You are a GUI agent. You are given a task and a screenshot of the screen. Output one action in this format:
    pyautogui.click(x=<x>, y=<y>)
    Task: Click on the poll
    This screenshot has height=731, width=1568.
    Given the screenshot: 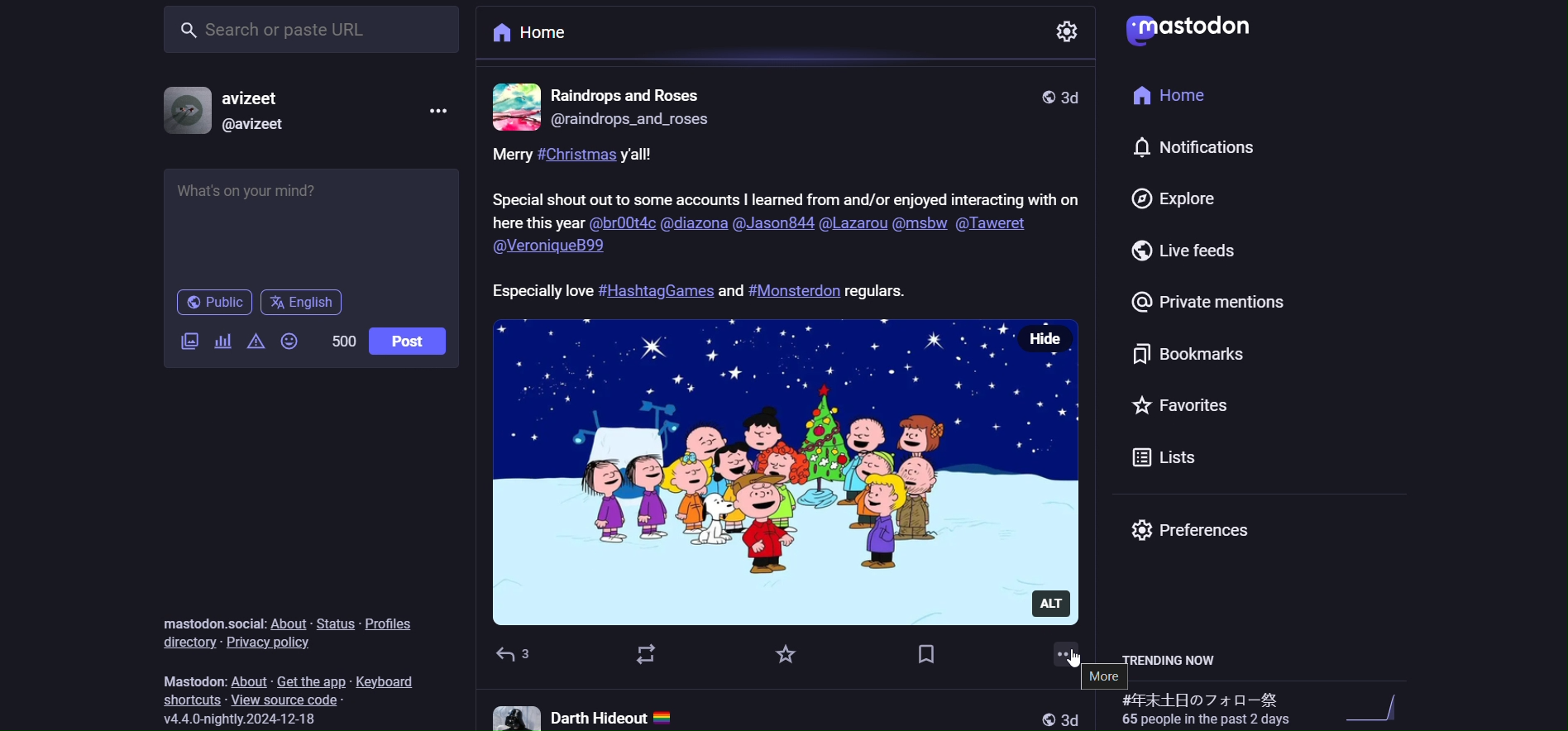 What is the action you would take?
    pyautogui.click(x=221, y=339)
    